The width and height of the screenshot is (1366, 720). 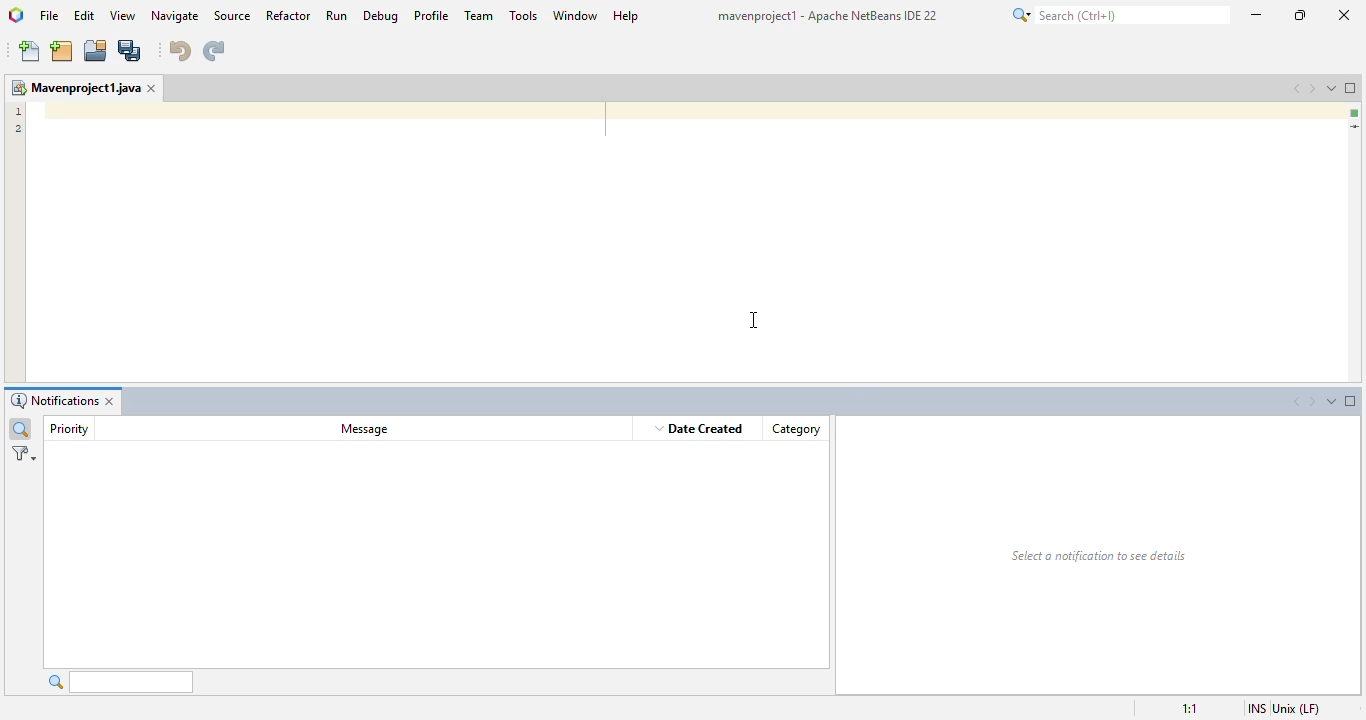 I want to click on maximize window, so click(x=1352, y=88).